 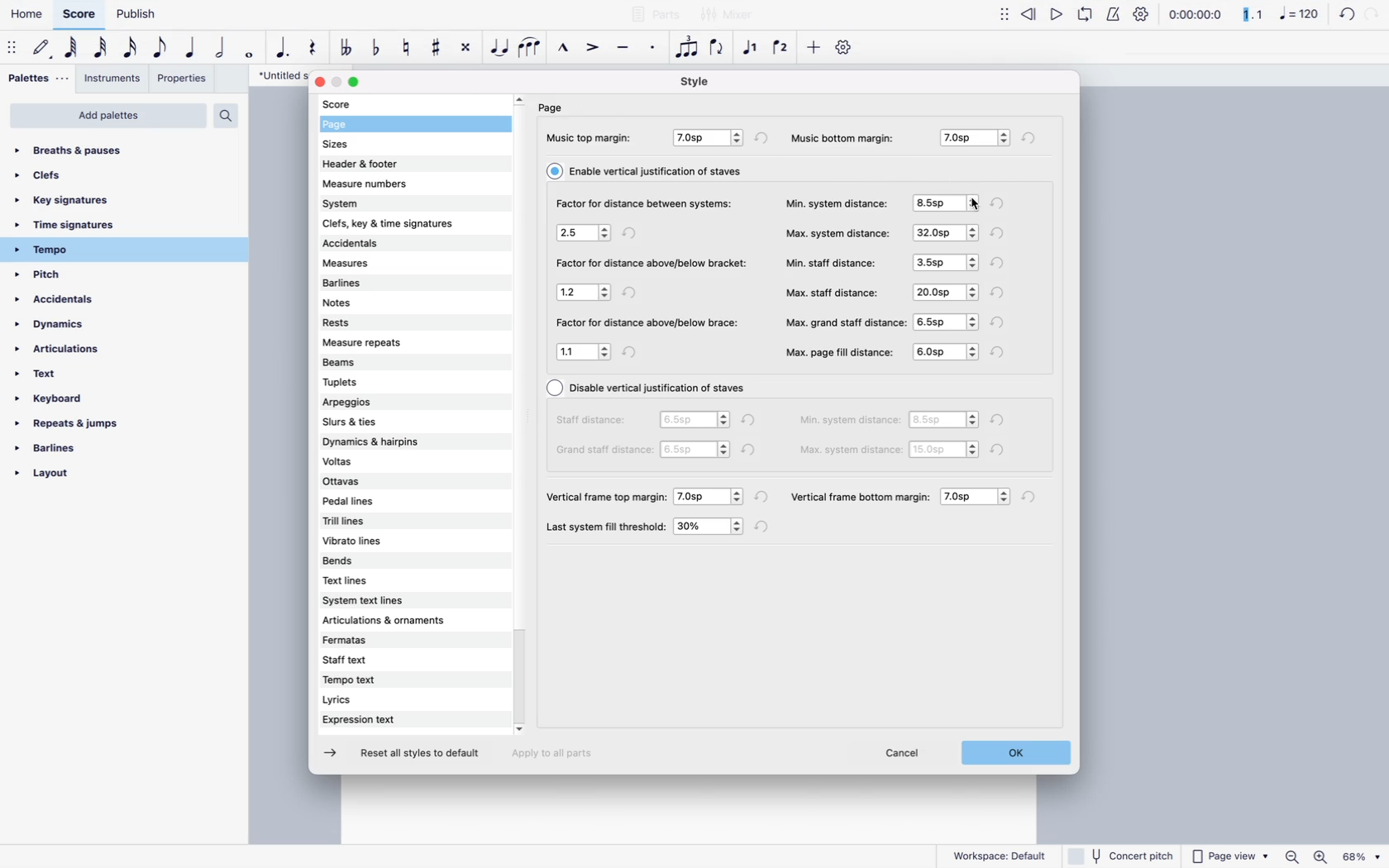 What do you see at coordinates (1000, 853) in the screenshot?
I see `workspace` at bounding box center [1000, 853].